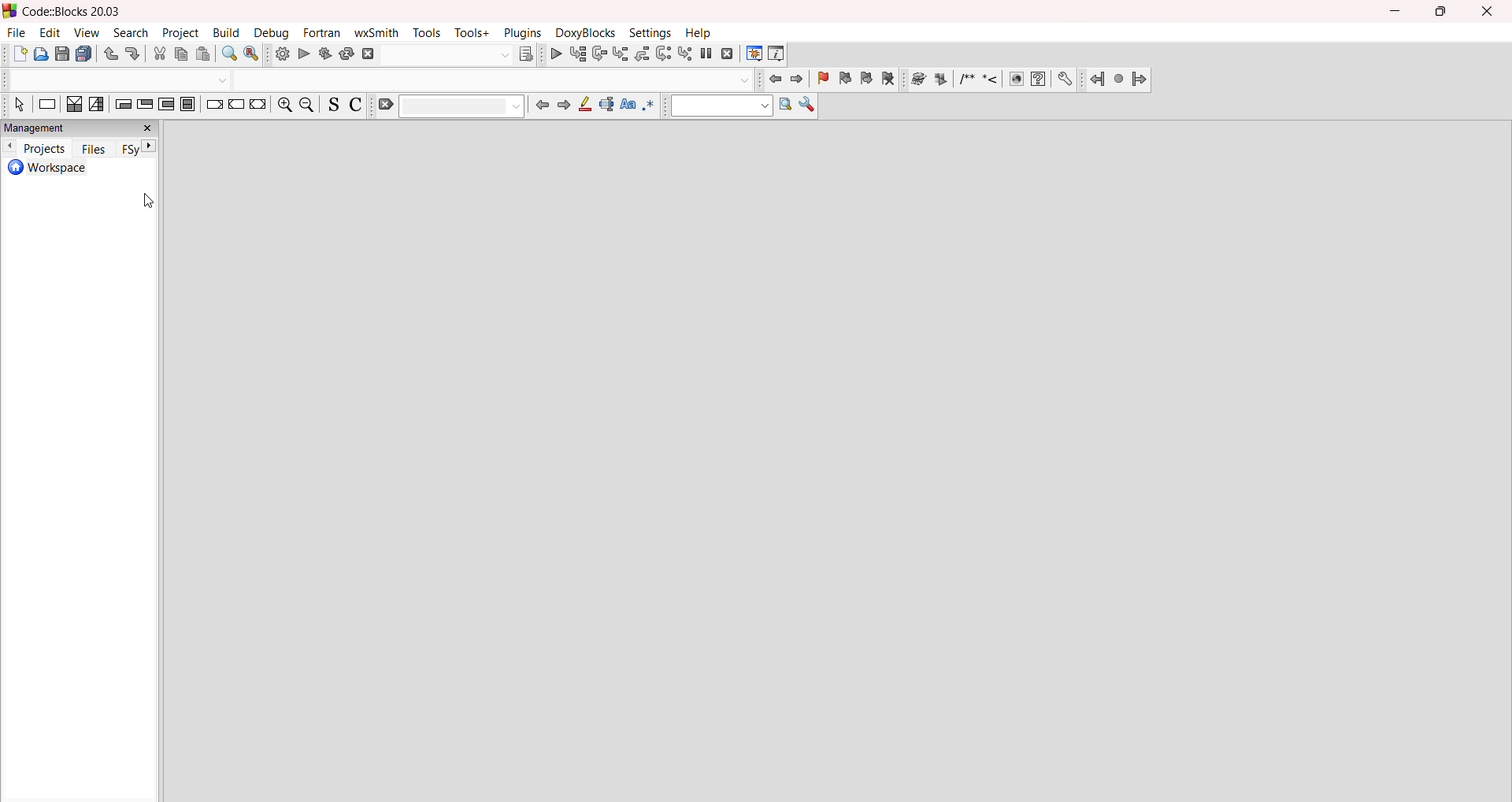  I want to click on selected text , so click(609, 106).